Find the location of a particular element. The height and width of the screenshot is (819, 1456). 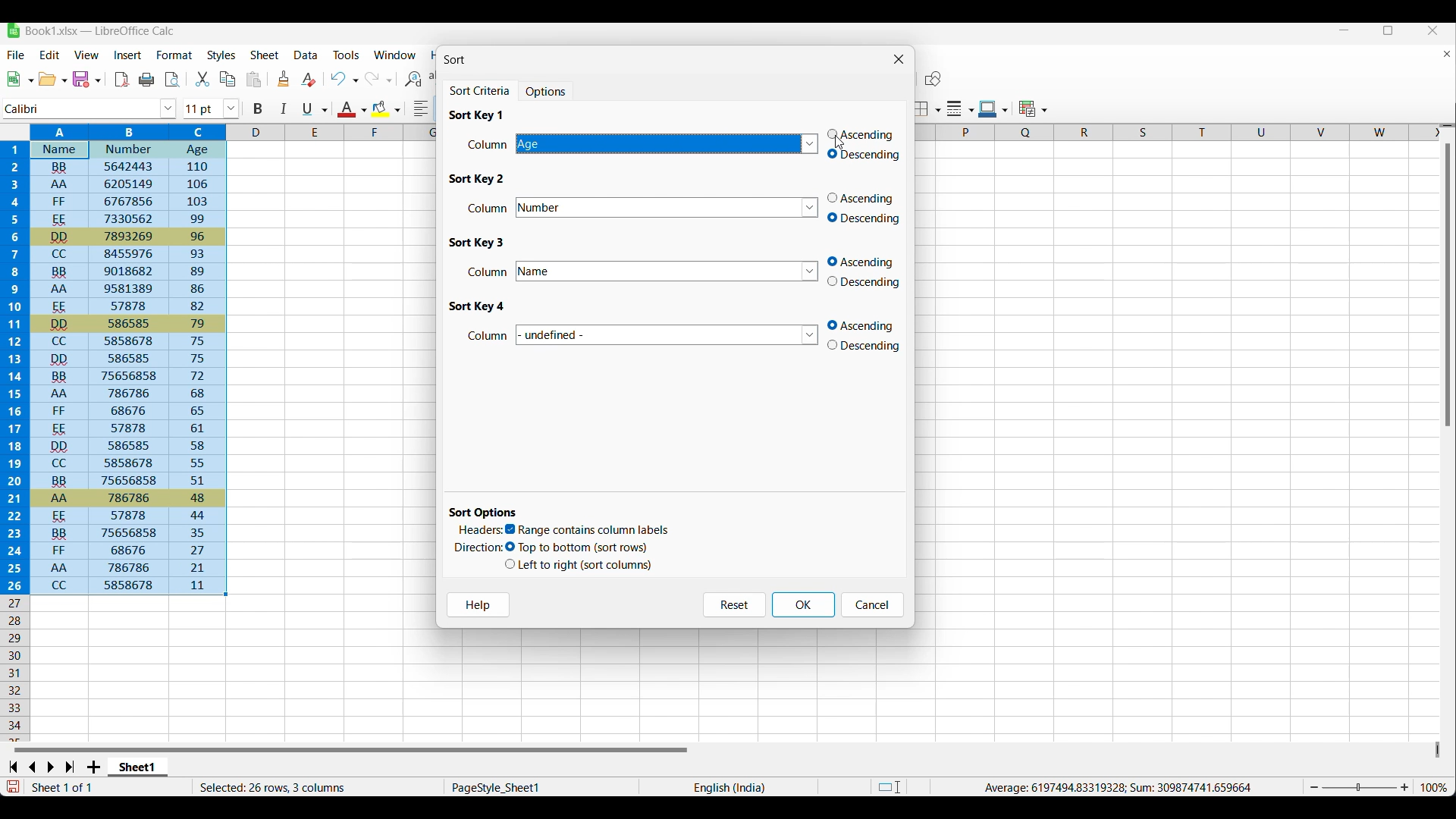

Quick slide is located at coordinates (1438, 750).